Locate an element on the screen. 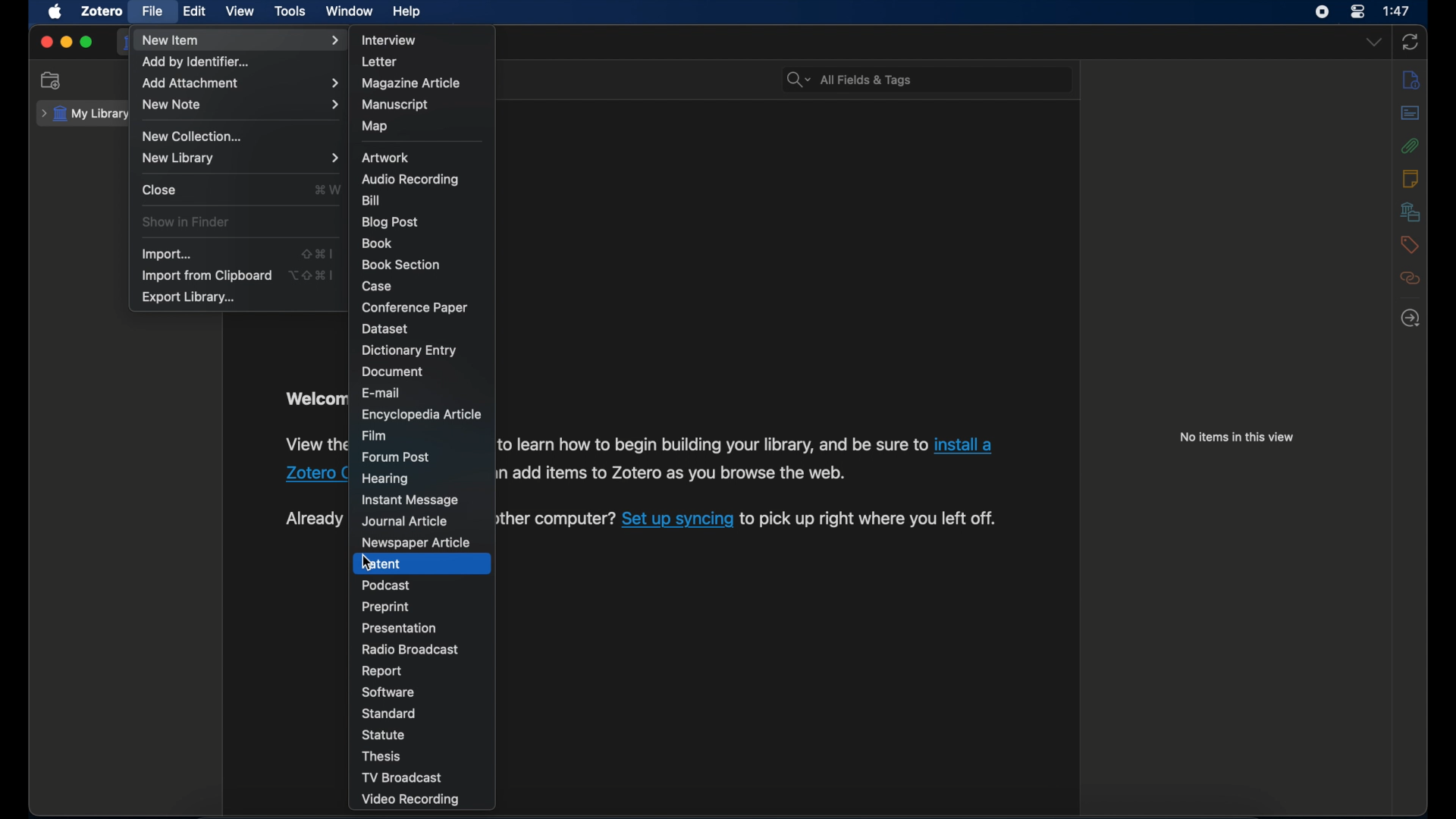 This screenshot has height=819, width=1456. document is located at coordinates (395, 372).